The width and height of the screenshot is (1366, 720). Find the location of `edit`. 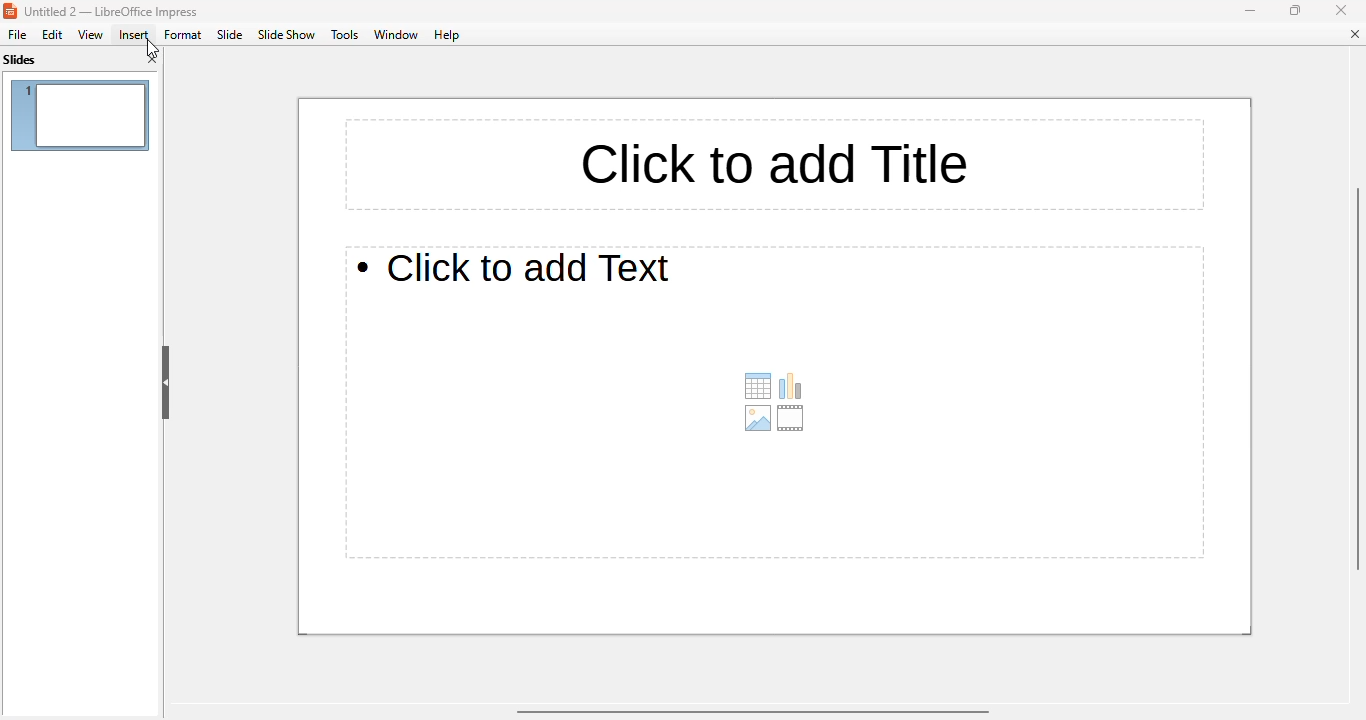

edit is located at coordinates (51, 34).